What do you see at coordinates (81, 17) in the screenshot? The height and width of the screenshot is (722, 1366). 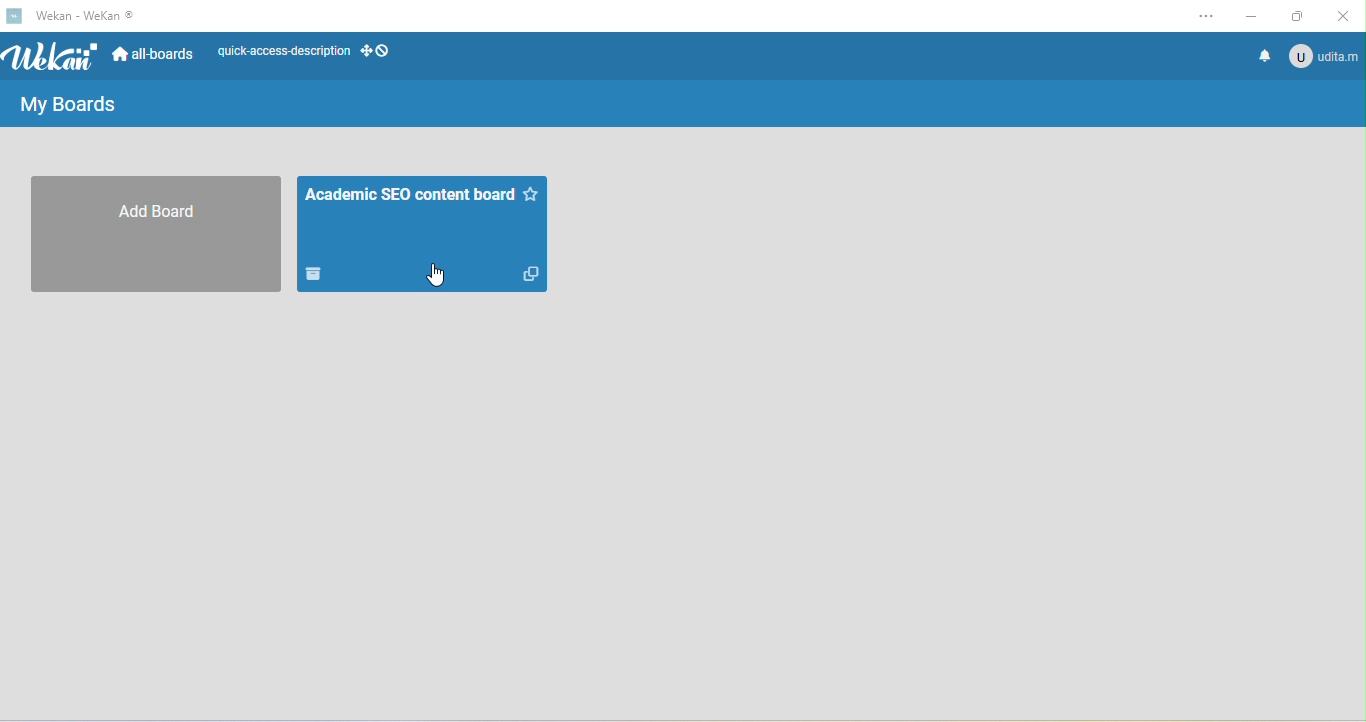 I see `title` at bounding box center [81, 17].